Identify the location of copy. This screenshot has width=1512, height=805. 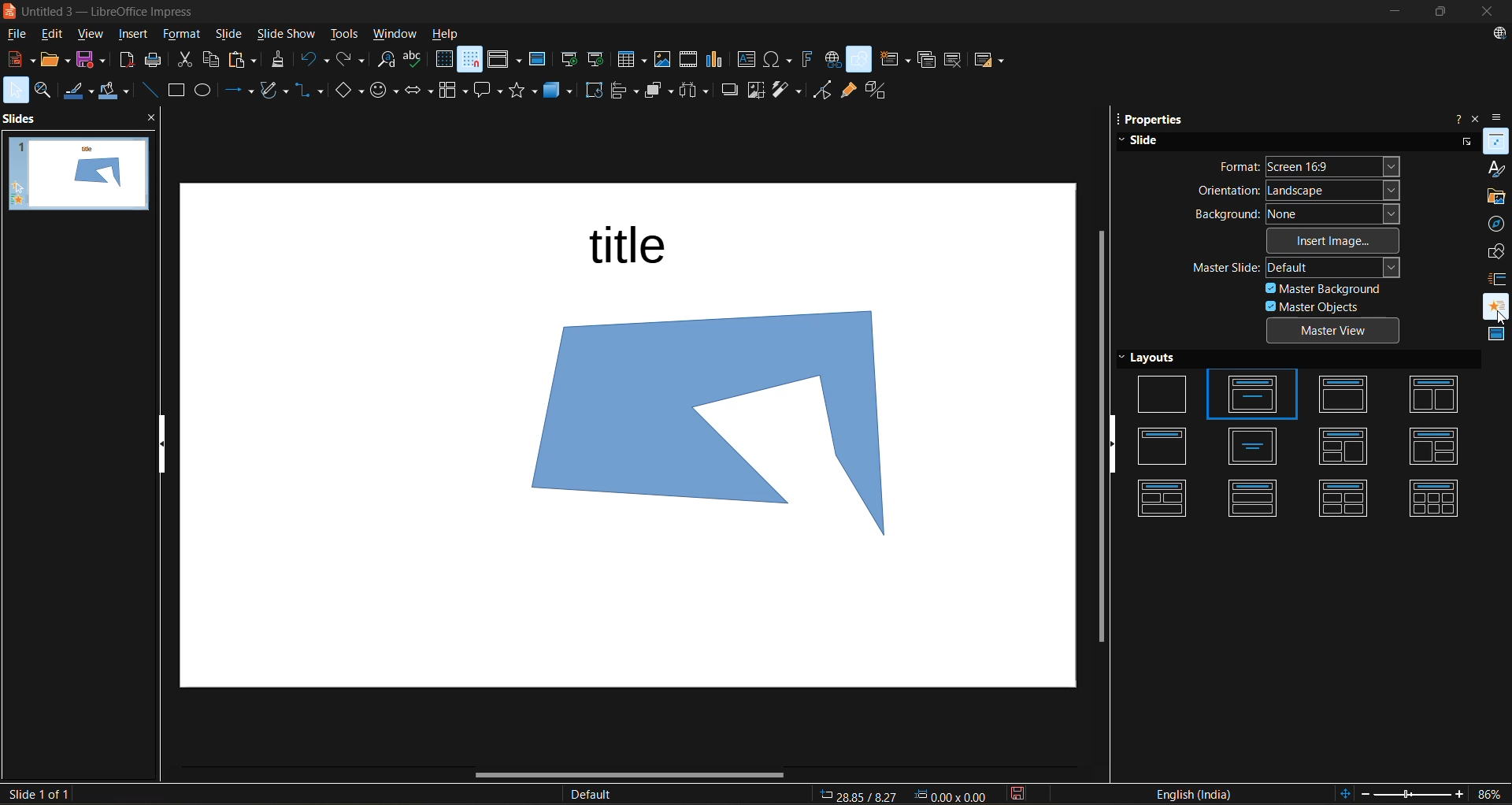
(213, 61).